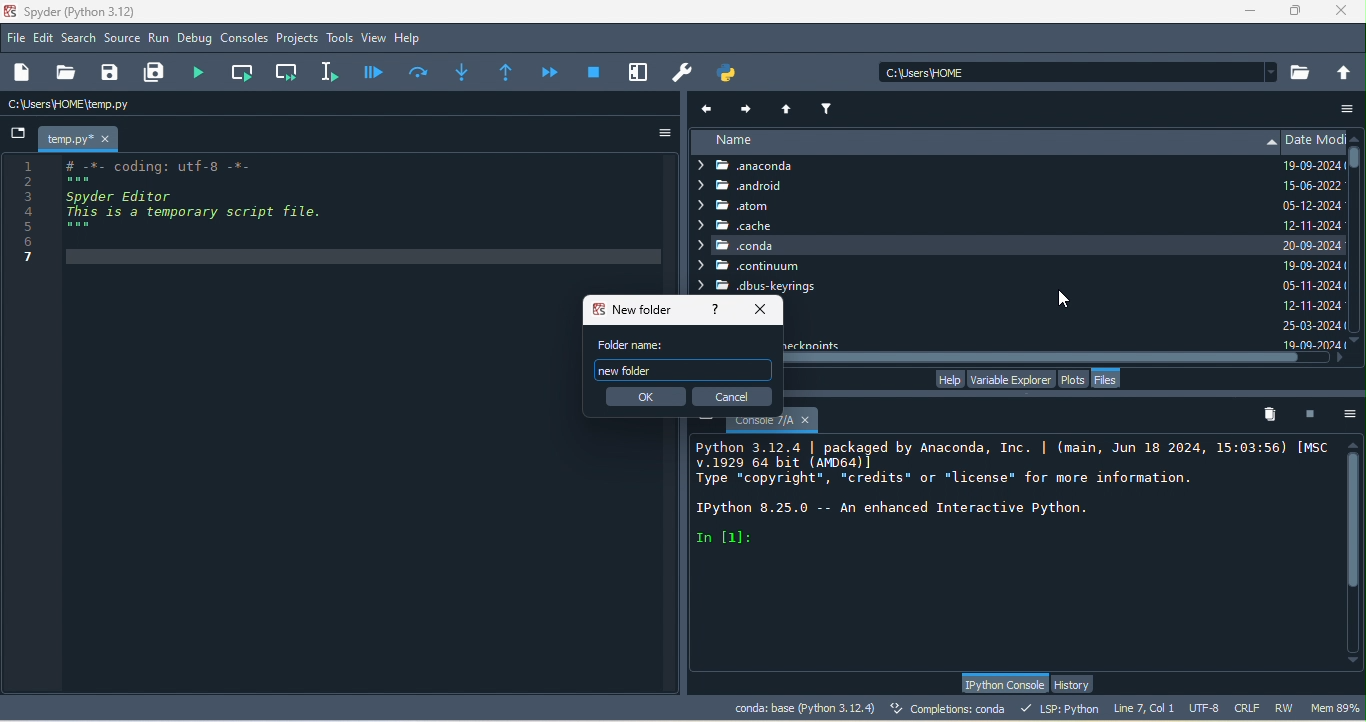 This screenshot has height=722, width=1366. I want to click on vertical scroll bar, so click(1355, 552).